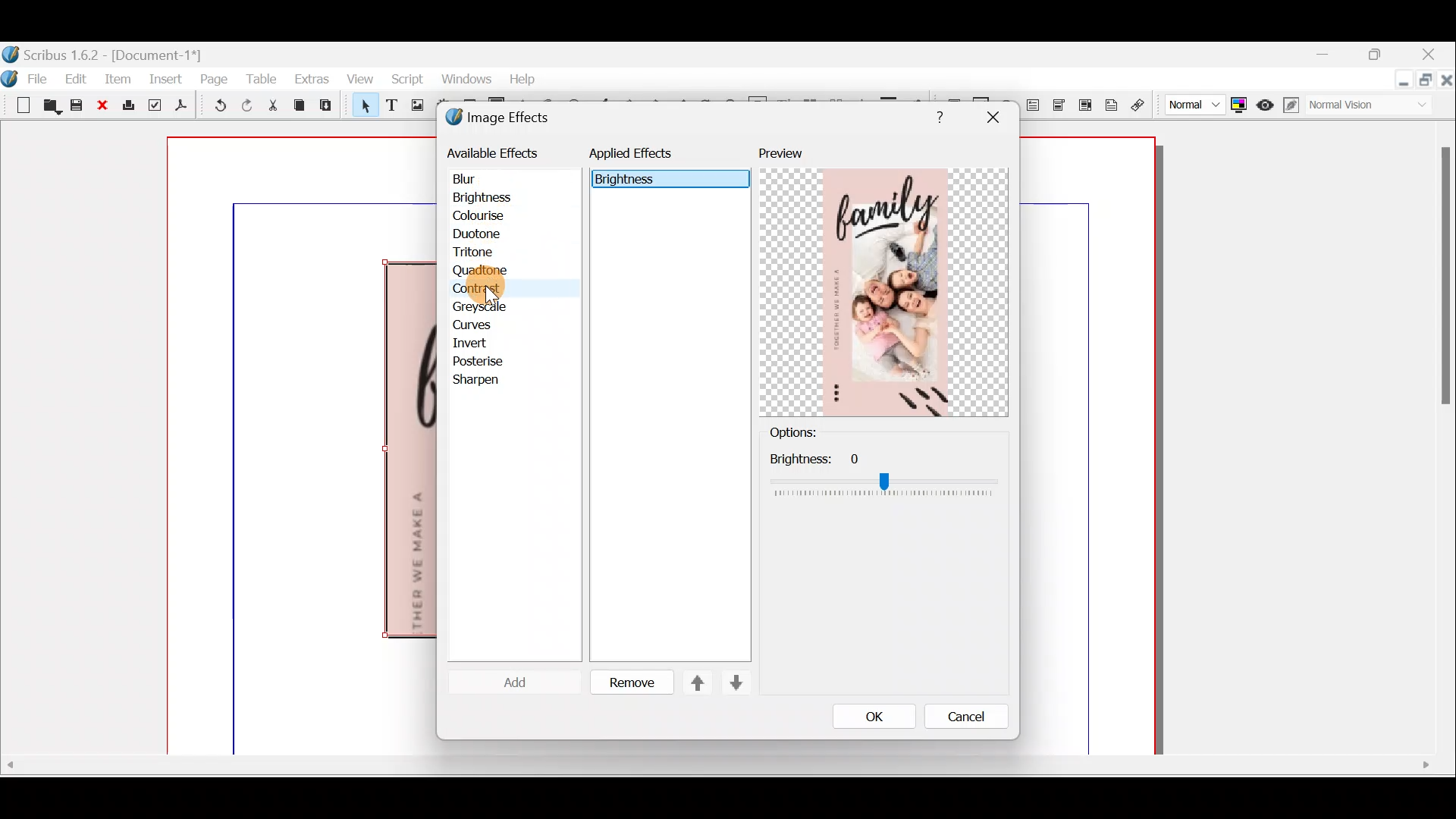 Image resolution: width=1456 pixels, height=819 pixels. Describe the element at coordinates (486, 217) in the screenshot. I see `Colourise` at that location.